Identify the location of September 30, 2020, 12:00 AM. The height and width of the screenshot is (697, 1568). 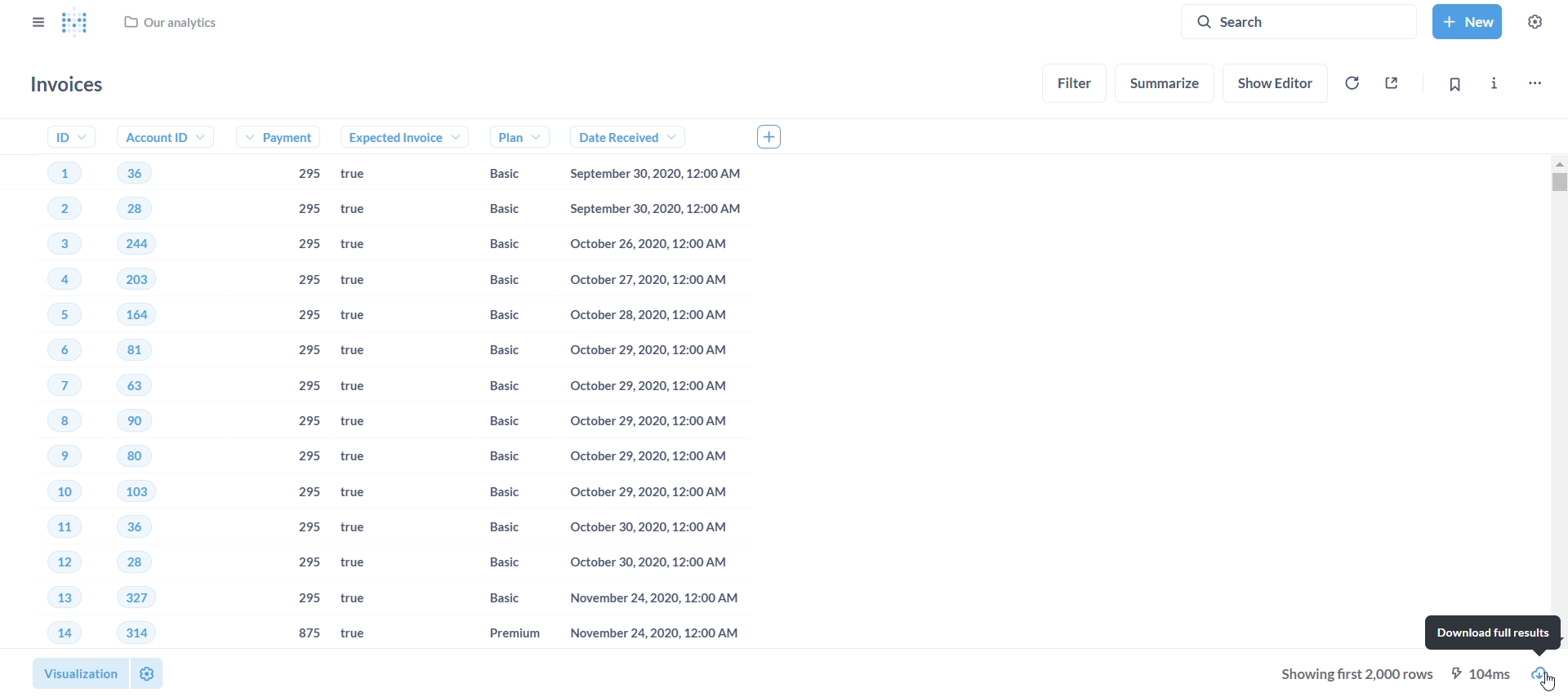
(660, 175).